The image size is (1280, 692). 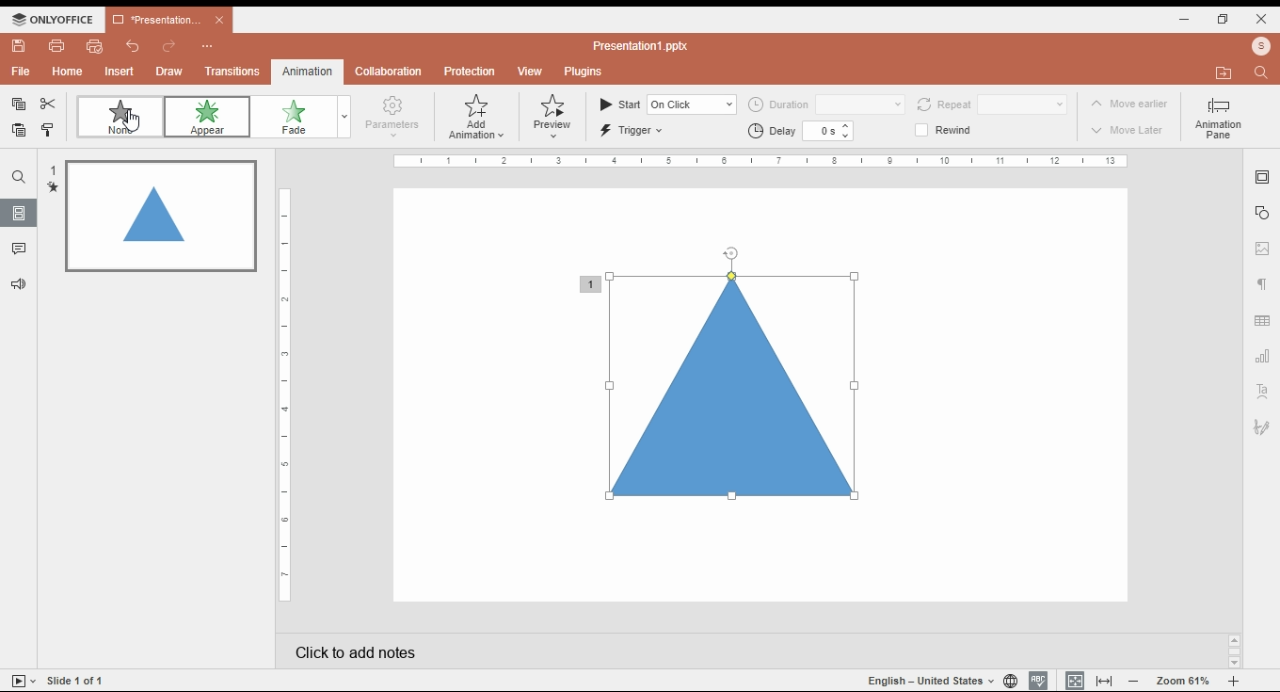 What do you see at coordinates (205, 48) in the screenshot?
I see `more options` at bounding box center [205, 48].